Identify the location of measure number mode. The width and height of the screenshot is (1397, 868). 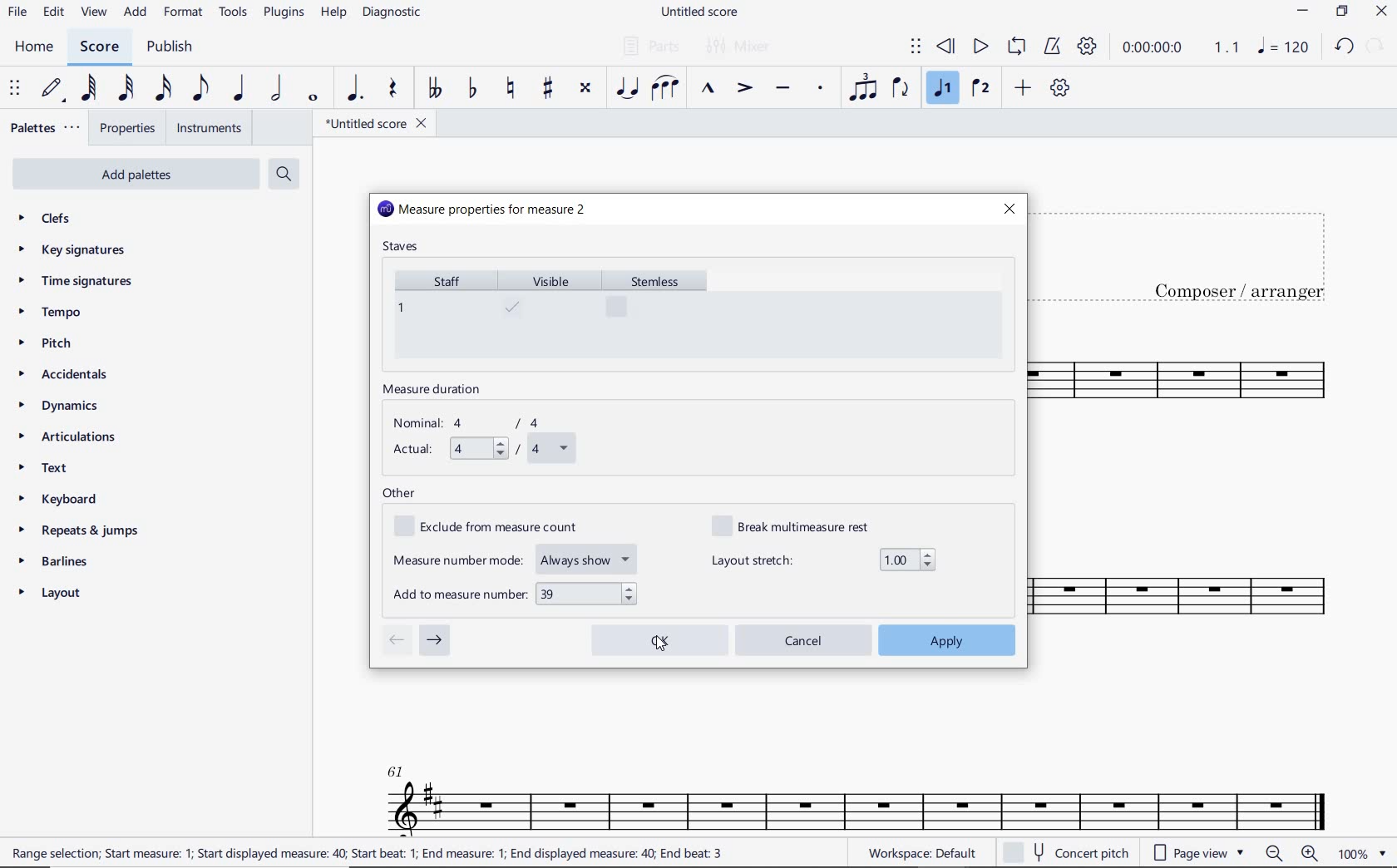
(516, 557).